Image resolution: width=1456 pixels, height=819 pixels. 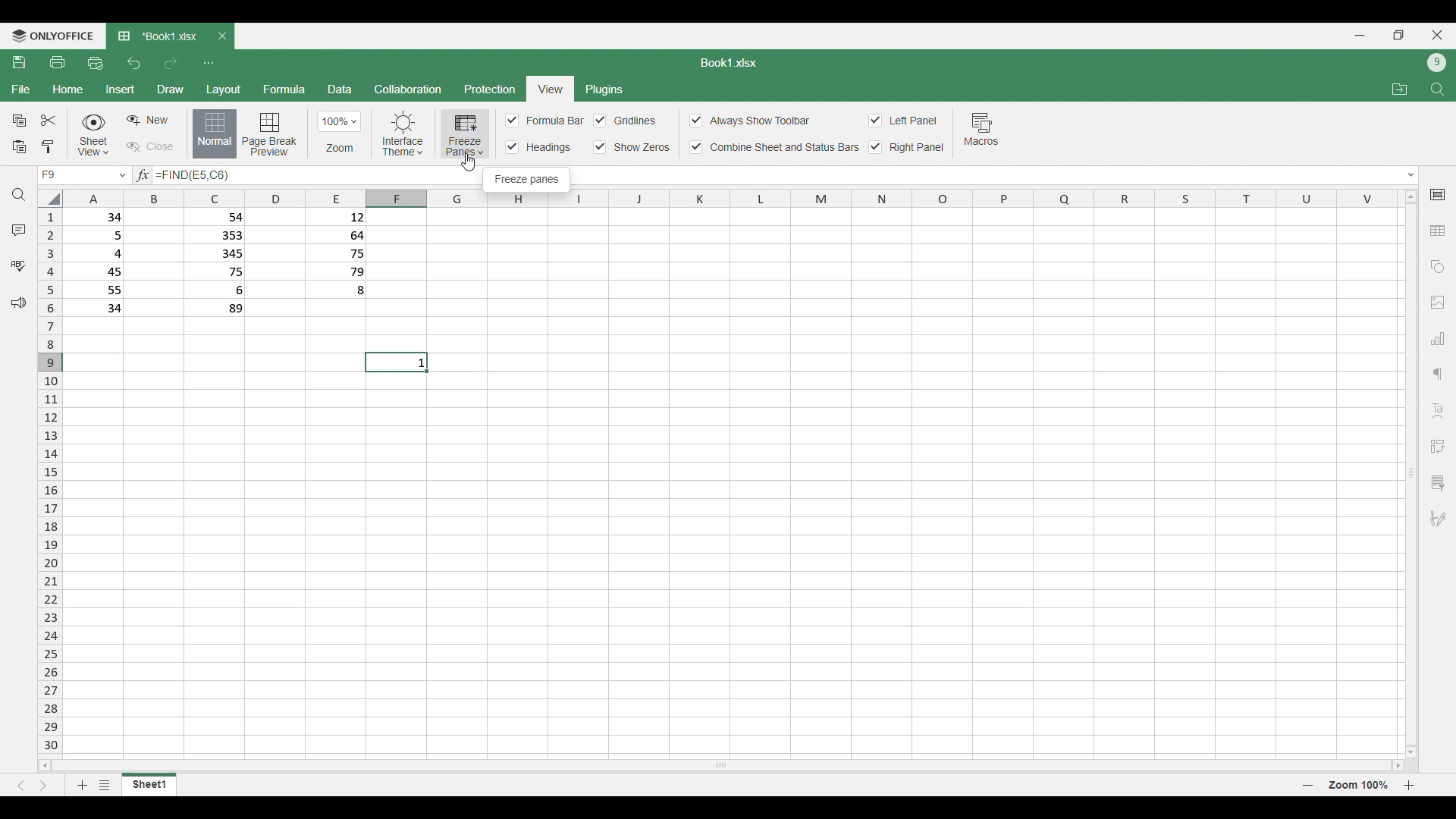 What do you see at coordinates (544, 121) in the screenshot?
I see `` at bounding box center [544, 121].